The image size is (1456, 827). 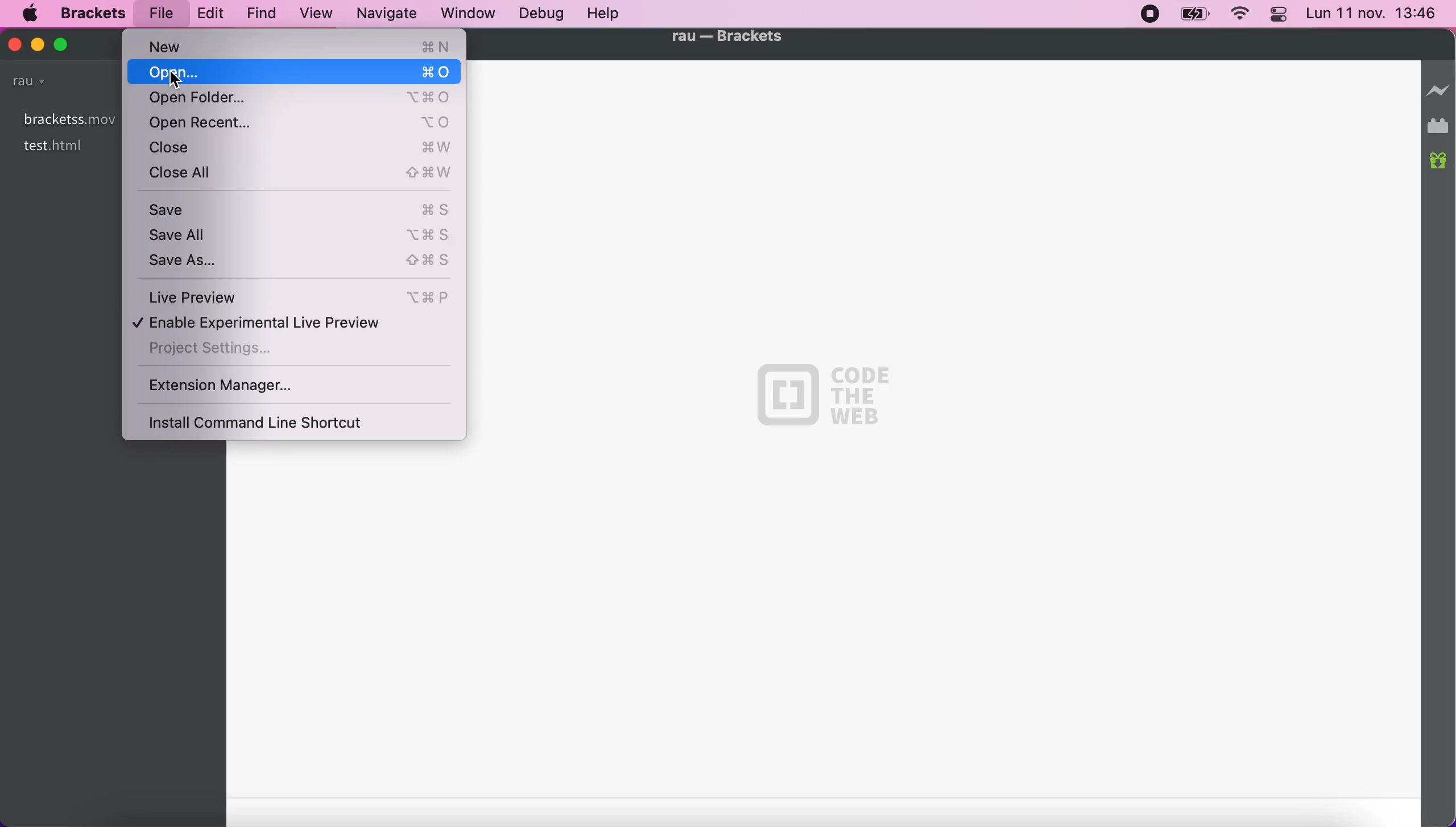 I want to click on close, so click(x=301, y=148).